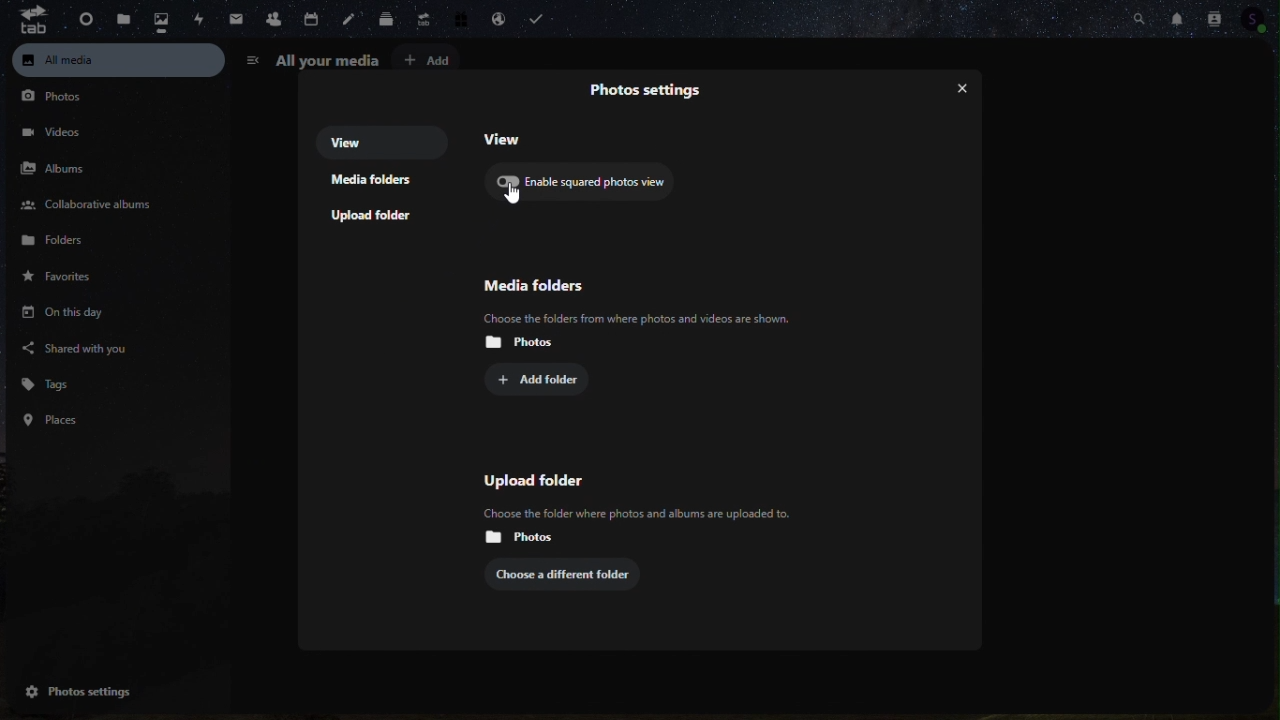 The width and height of the screenshot is (1280, 720). What do you see at coordinates (350, 20) in the screenshot?
I see `notes` at bounding box center [350, 20].